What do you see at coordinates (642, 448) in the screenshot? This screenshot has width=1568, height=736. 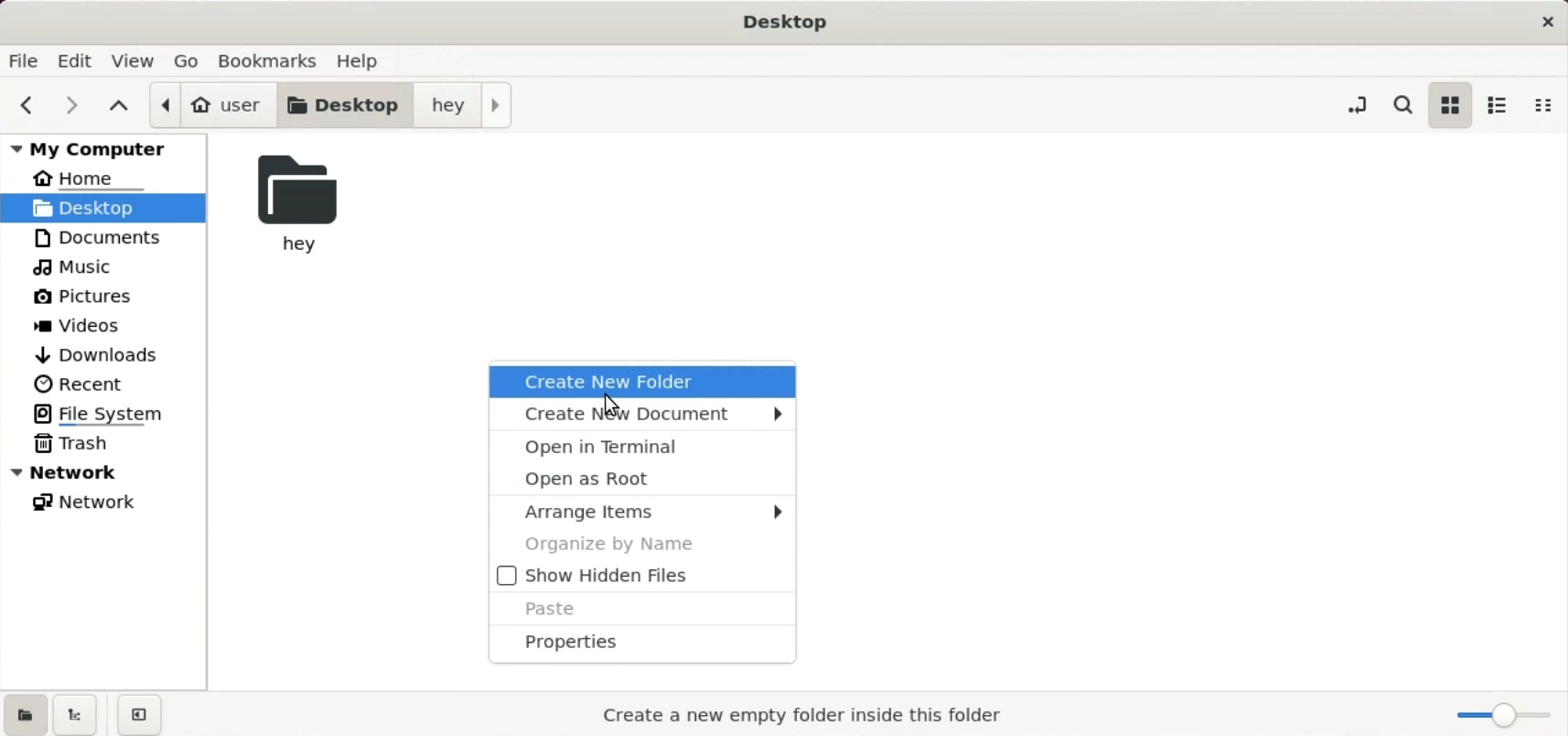 I see `open in terminal` at bounding box center [642, 448].